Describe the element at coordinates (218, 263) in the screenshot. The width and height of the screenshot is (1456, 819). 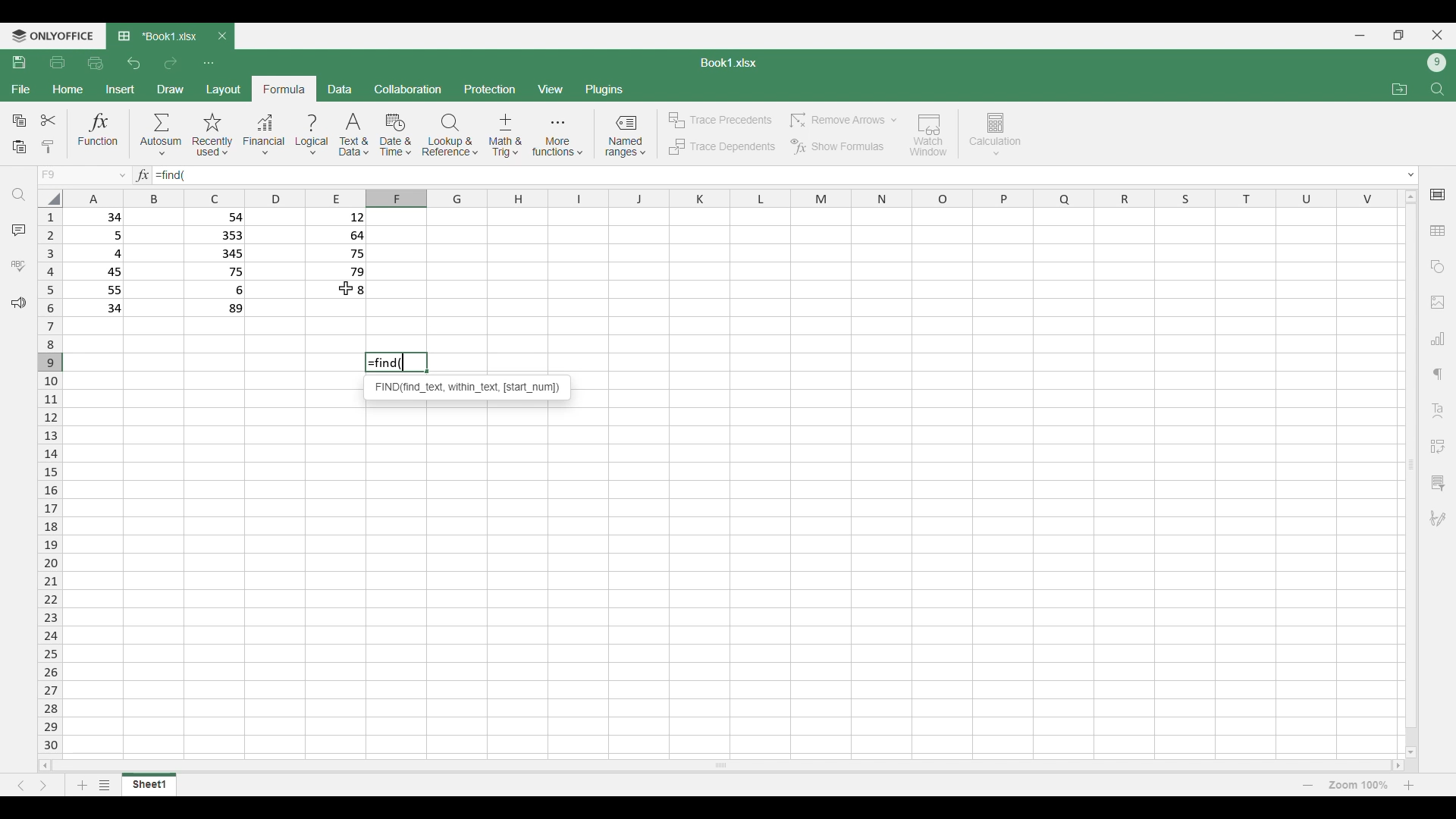
I see `Filled cells` at that location.